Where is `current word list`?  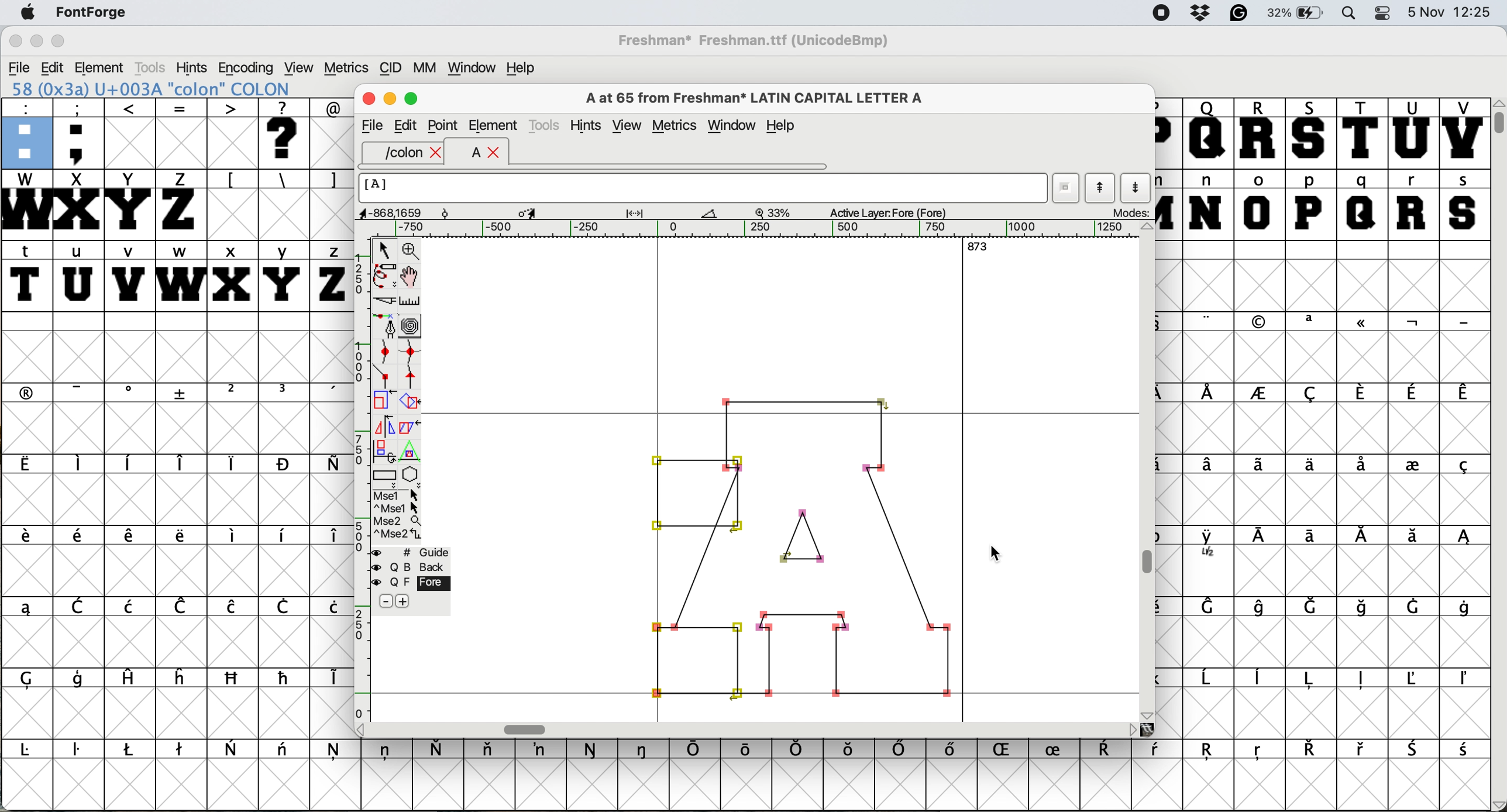
current word list is located at coordinates (1066, 184).